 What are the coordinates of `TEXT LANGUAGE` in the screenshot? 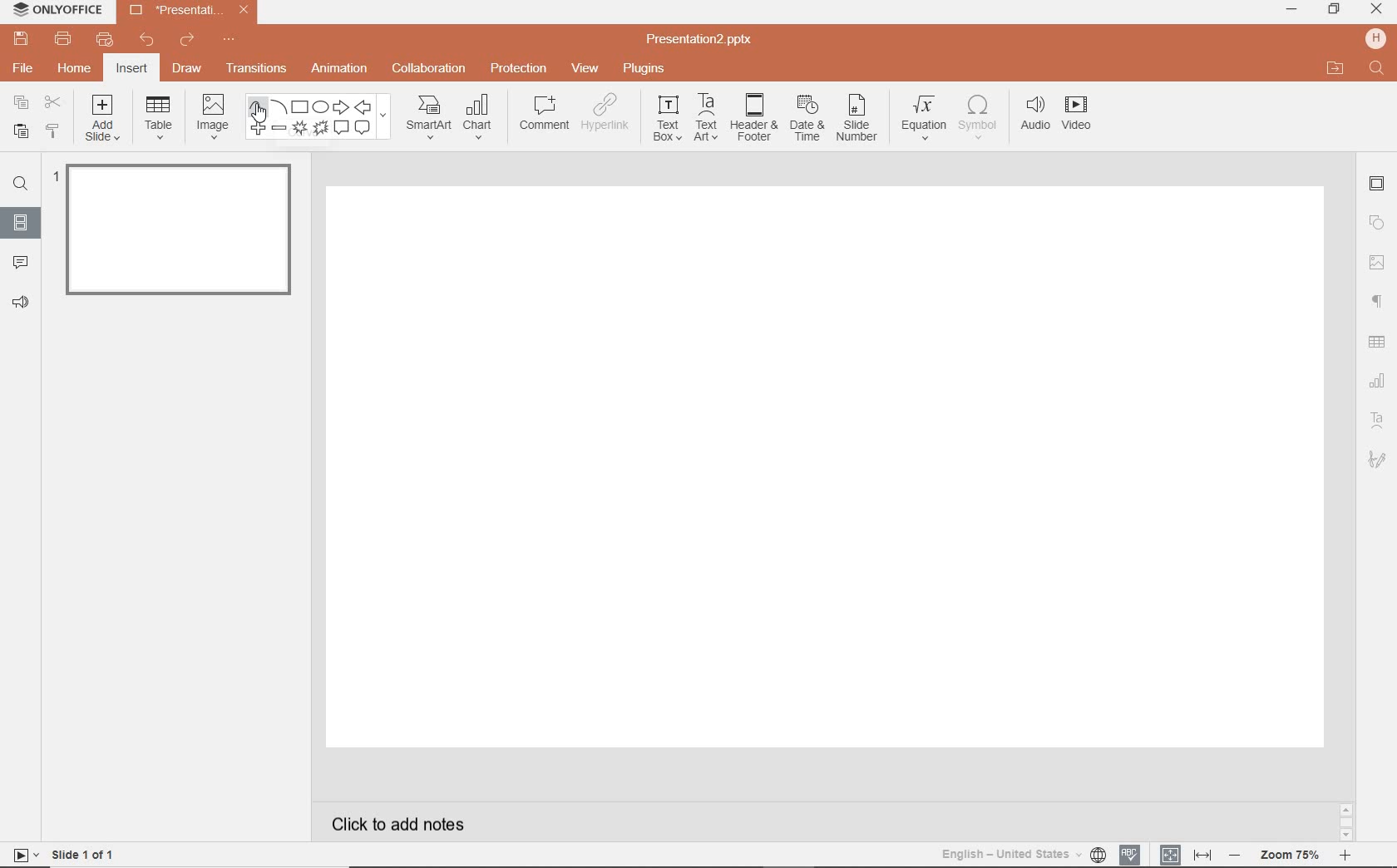 It's located at (1023, 852).